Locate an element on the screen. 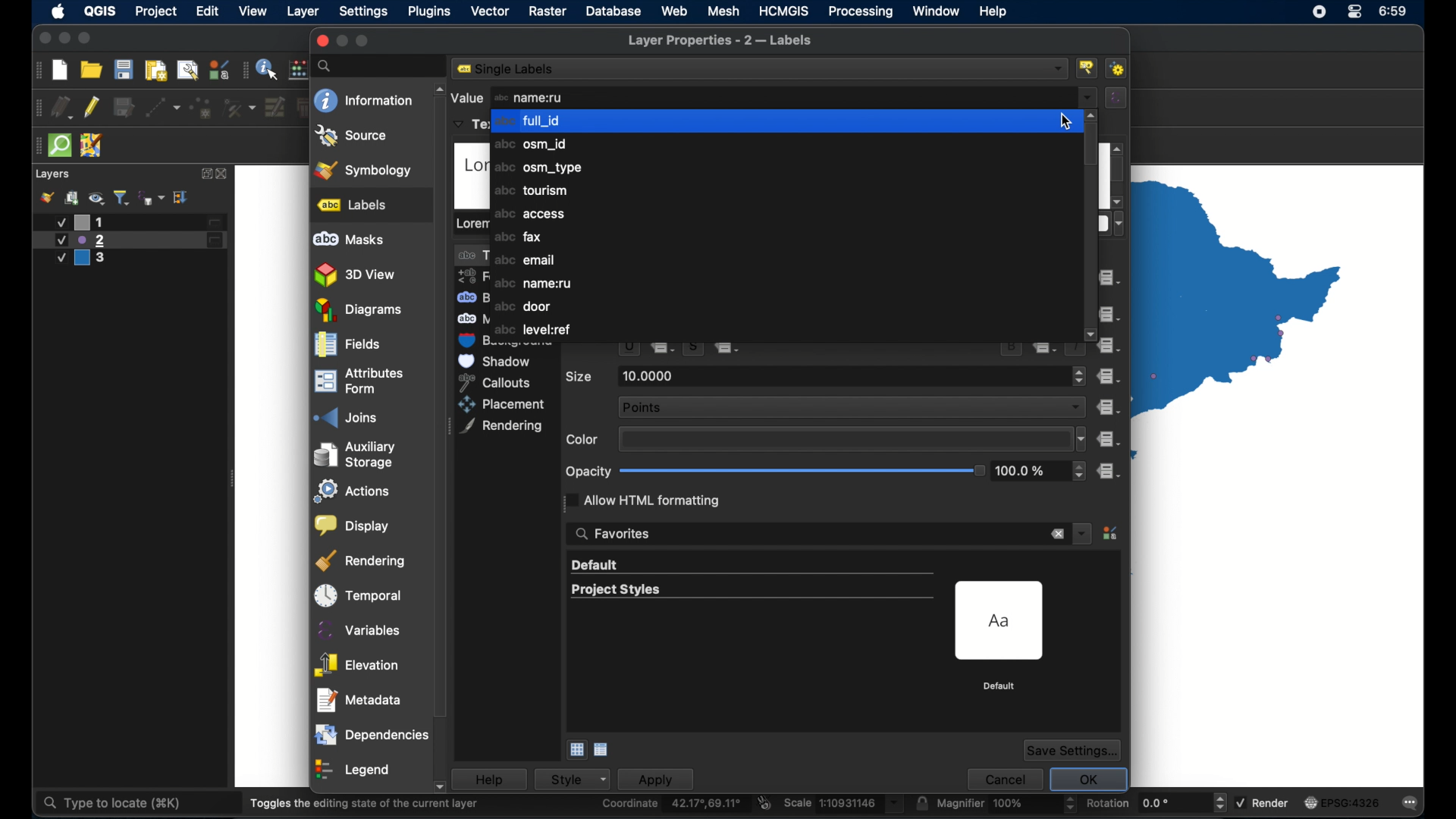 The height and width of the screenshot is (819, 1456). processing is located at coordinates (860, 11).